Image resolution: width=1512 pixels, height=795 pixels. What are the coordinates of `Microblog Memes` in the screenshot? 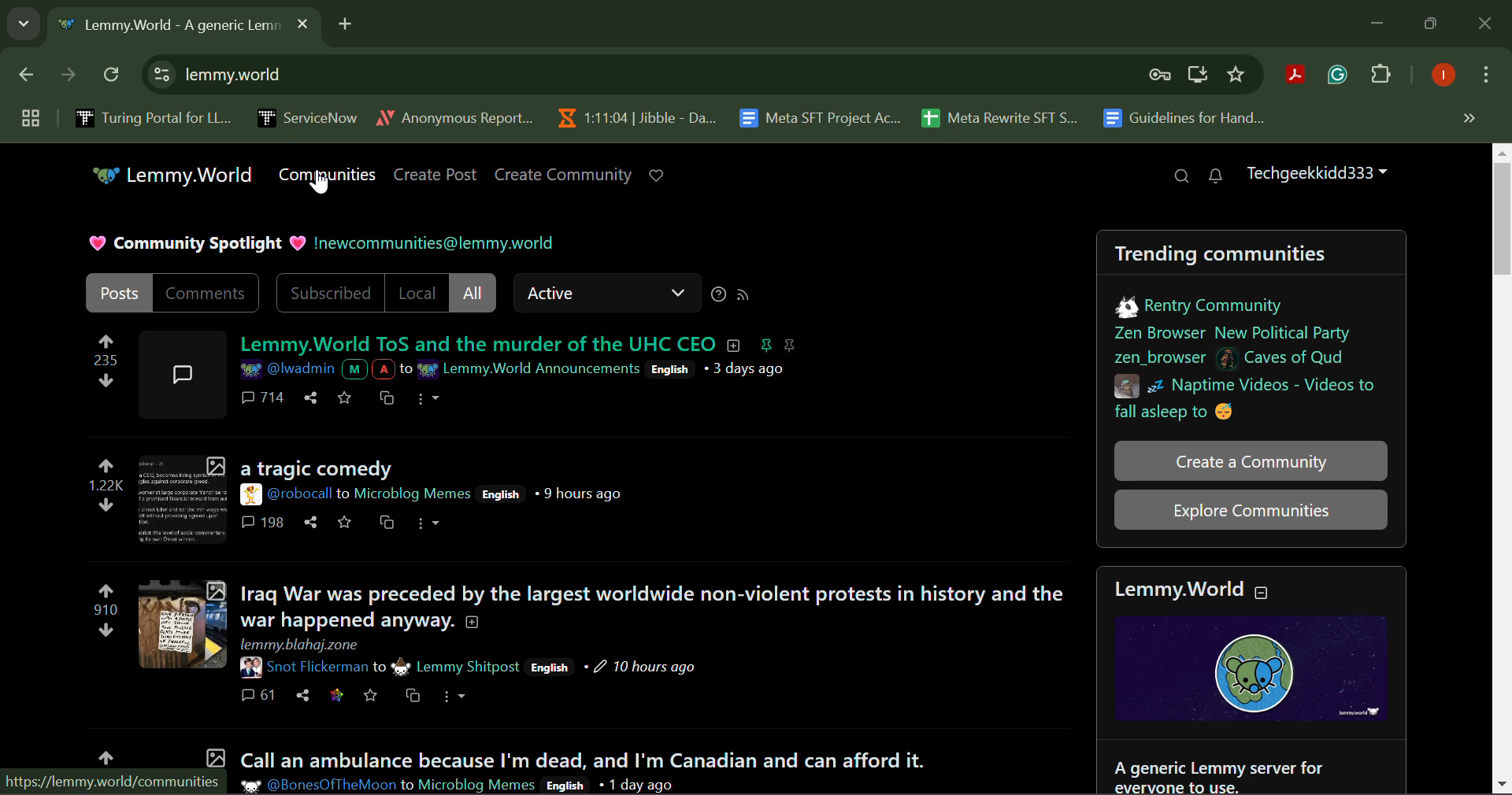 It's located at (477, 784).